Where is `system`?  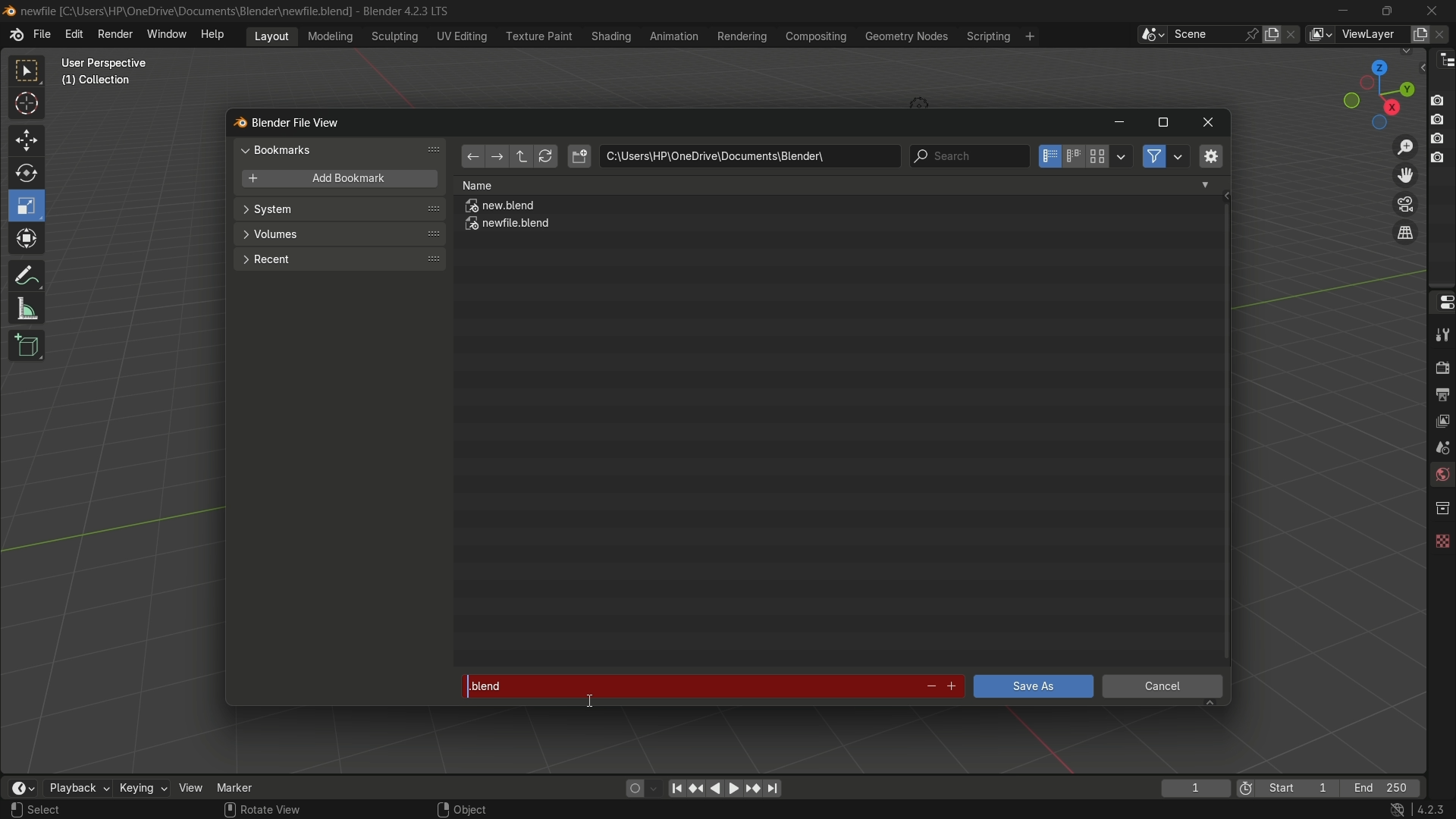 system is located at coordinates (340, 211).